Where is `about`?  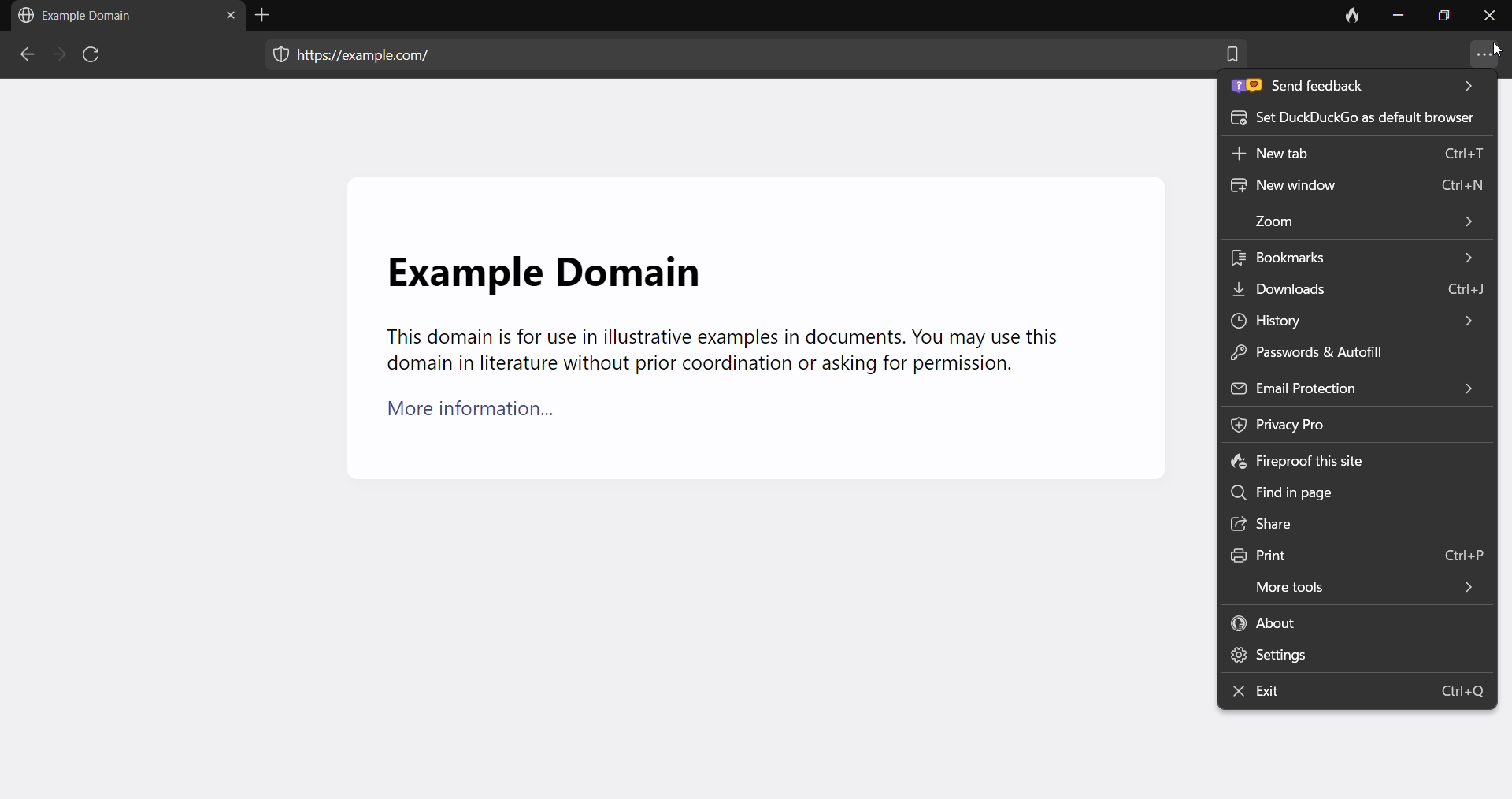 about is located at coordinates (1356, 622).